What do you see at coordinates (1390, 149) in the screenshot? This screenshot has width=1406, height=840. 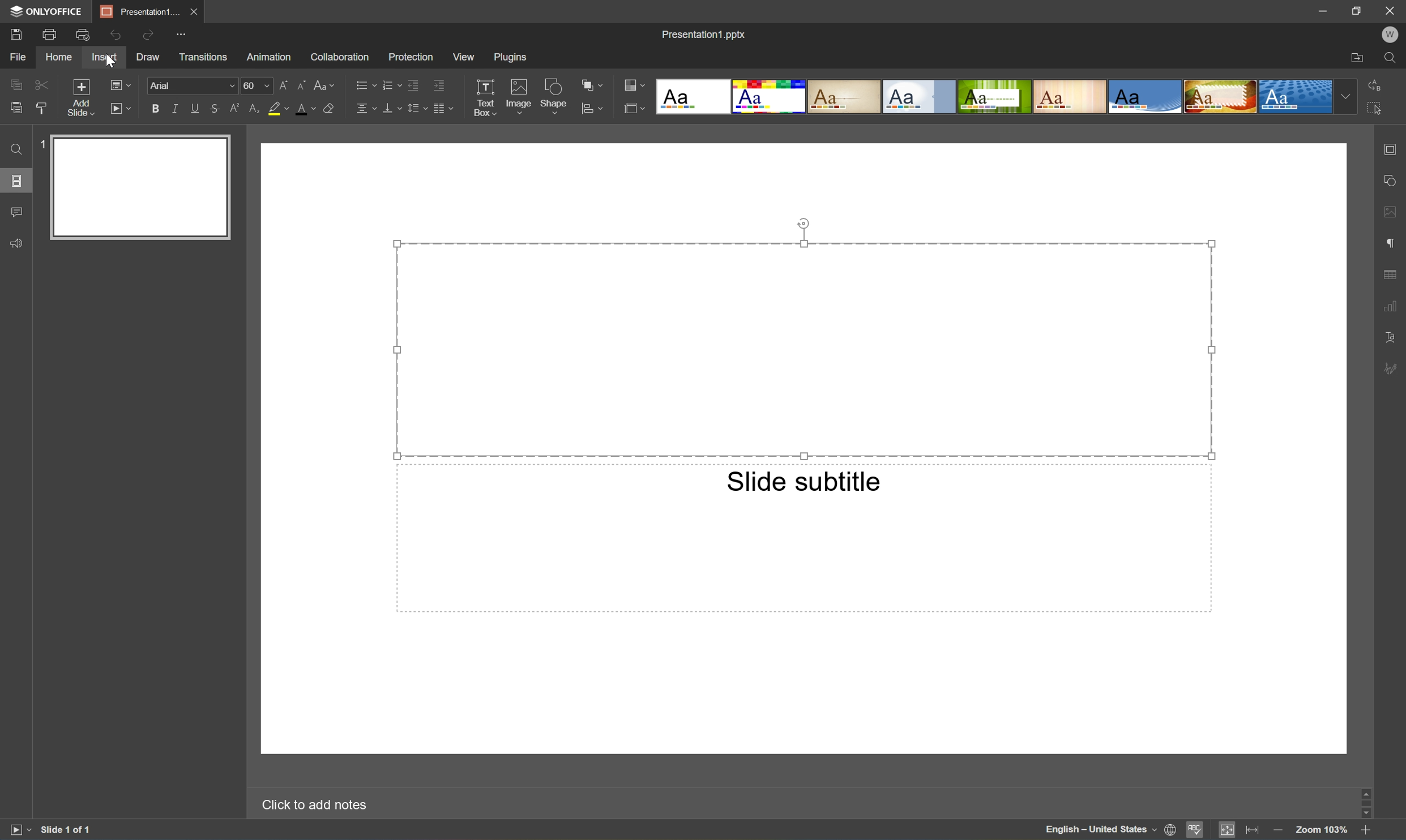 I see `Slide settings` at bounding box center [1390, 149].